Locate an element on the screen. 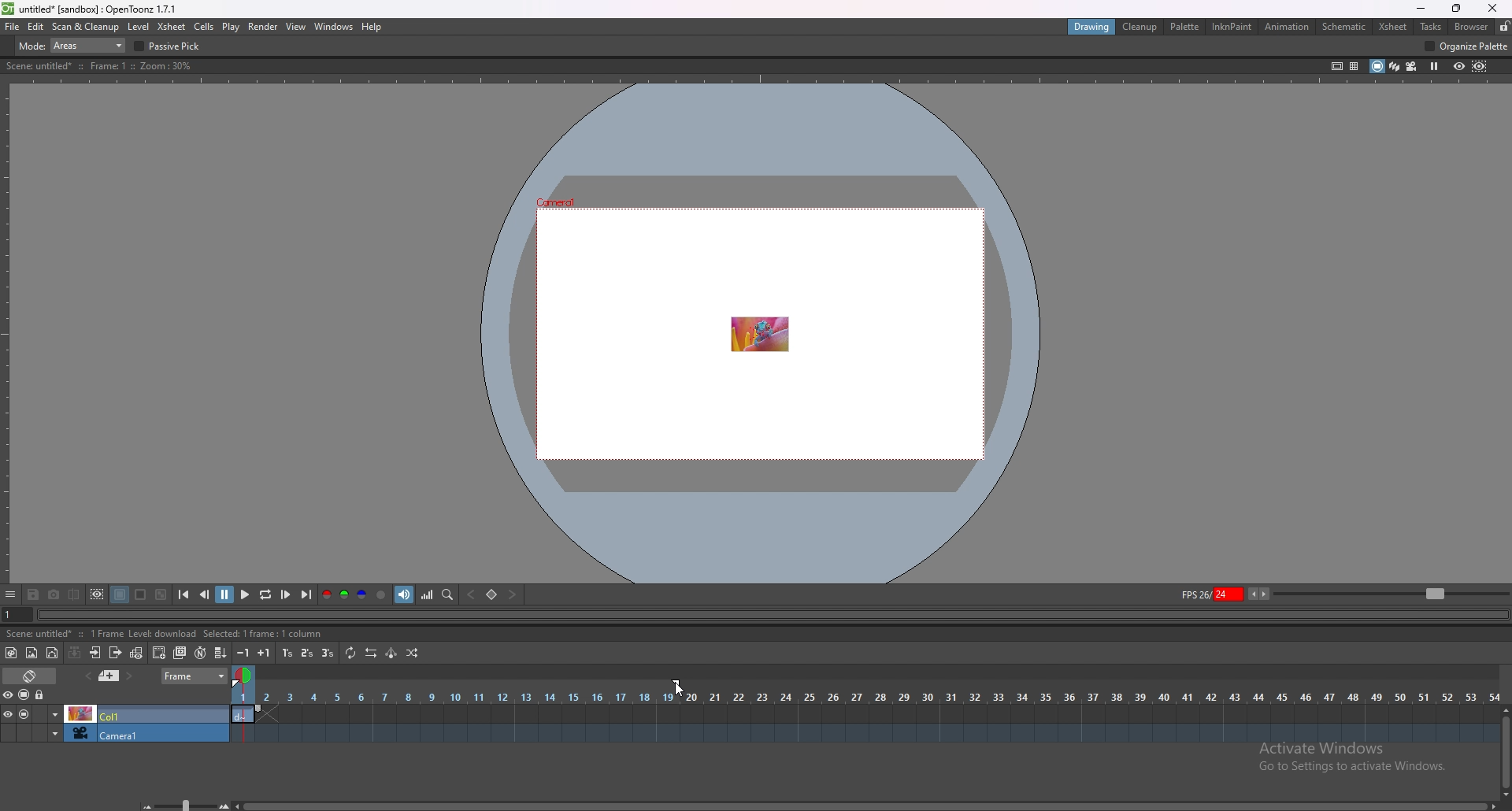 This screenshot has height=811, width=1512. timeline is located at coordinates (865, 712).